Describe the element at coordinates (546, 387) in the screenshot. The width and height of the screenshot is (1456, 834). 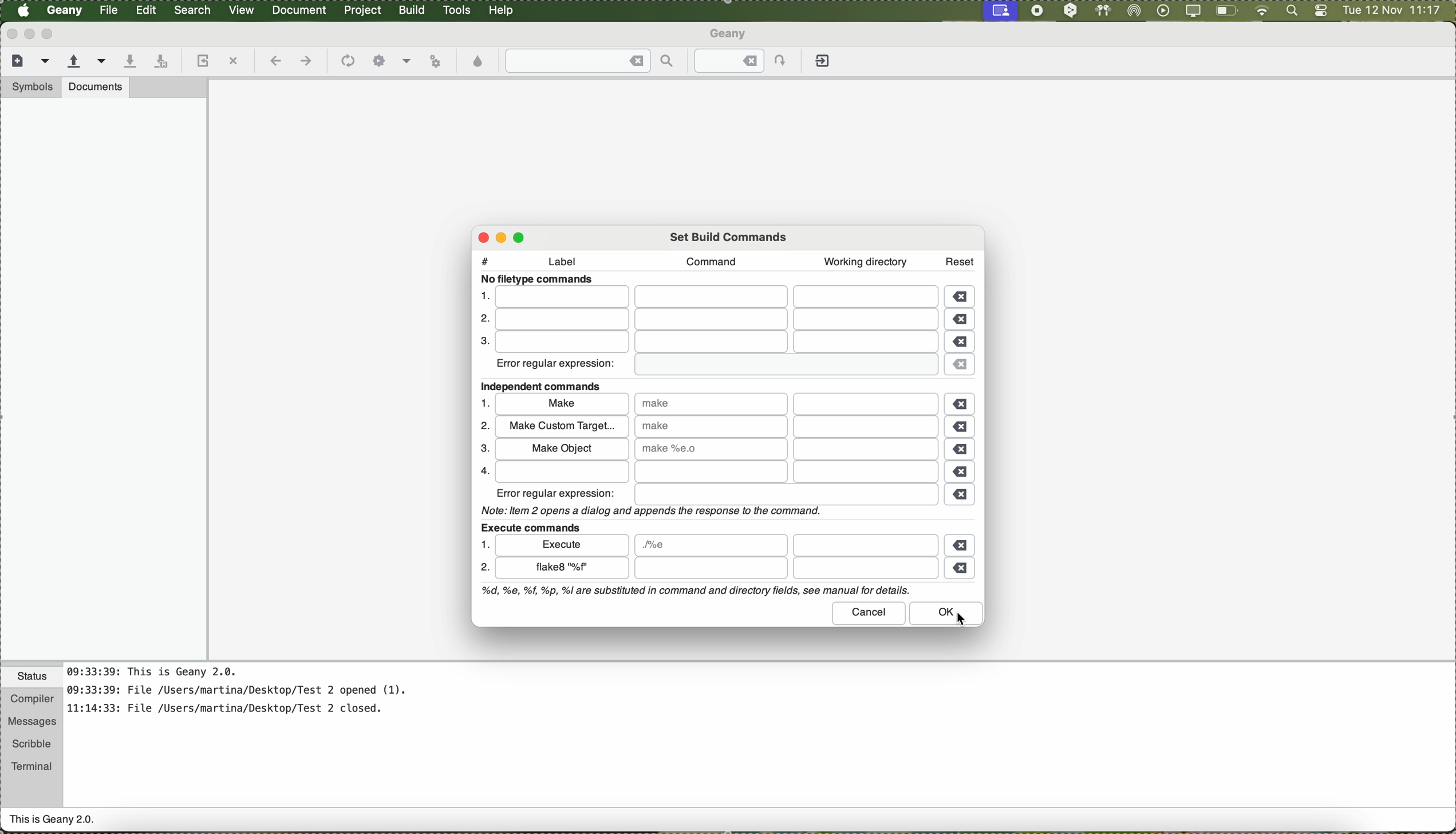
I see `independent commands` at that location.